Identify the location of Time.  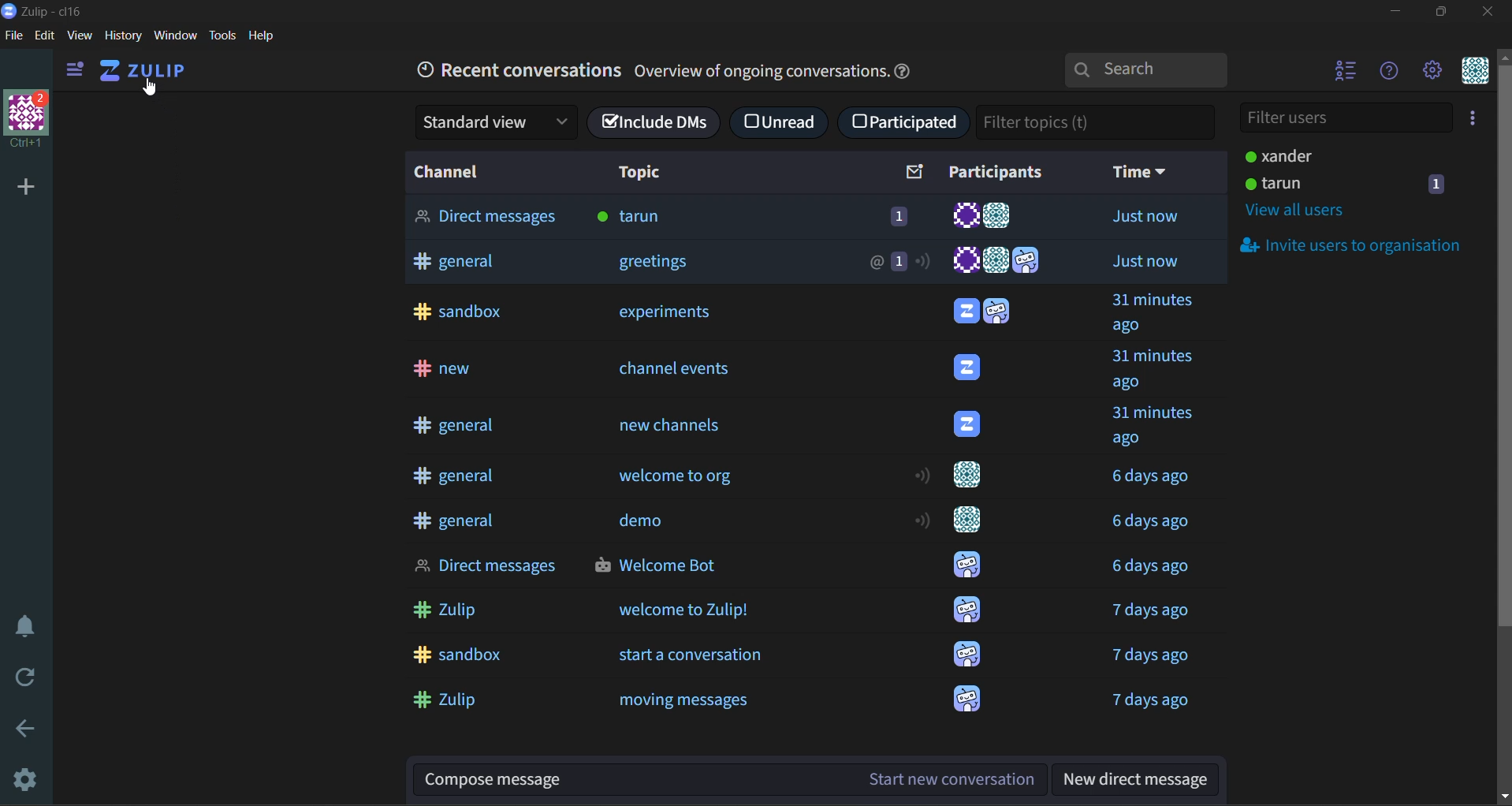
(1145, 260).